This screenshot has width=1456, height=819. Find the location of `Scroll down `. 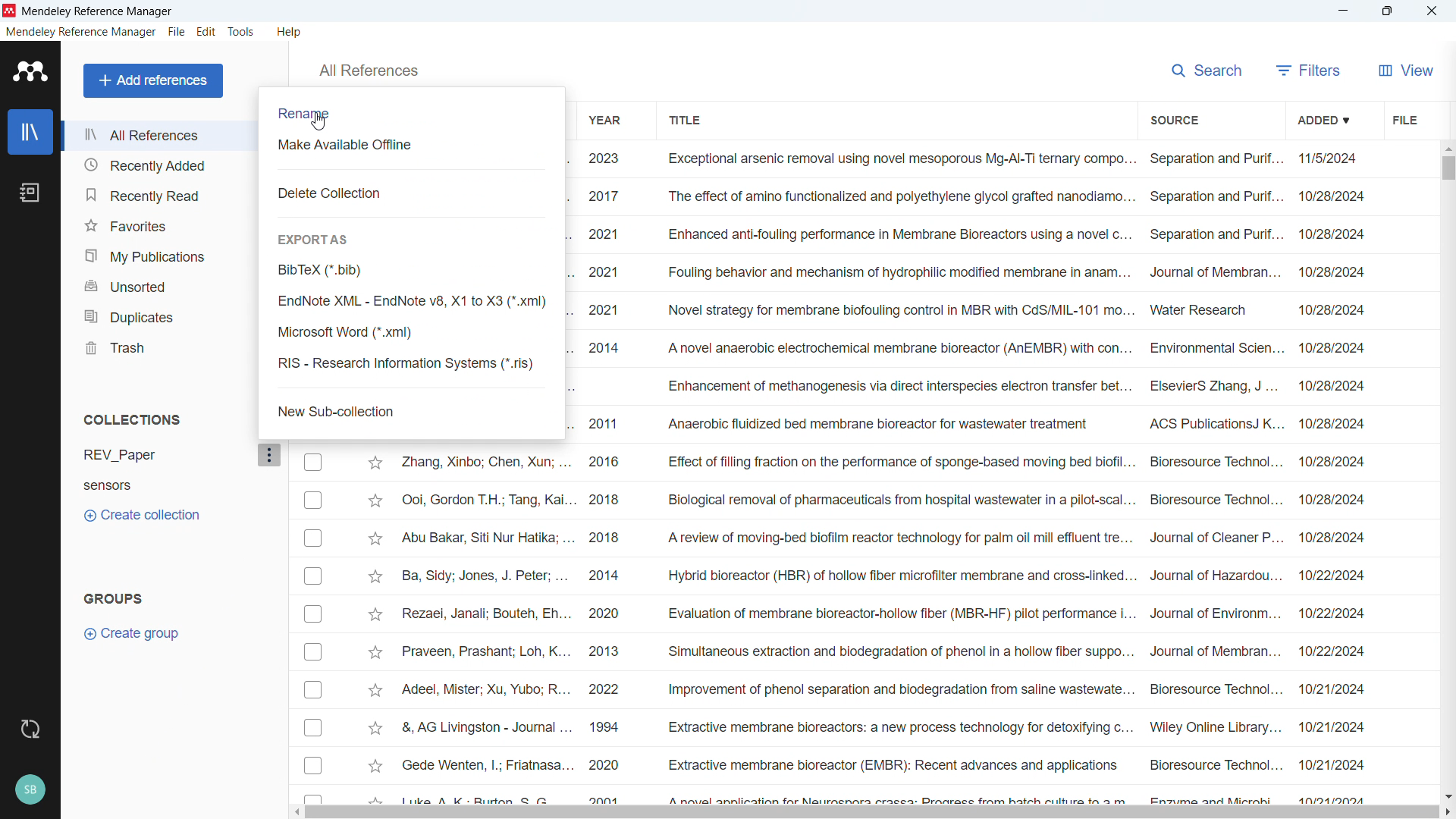

Scroll down  is located at coordinates (1447, 795).